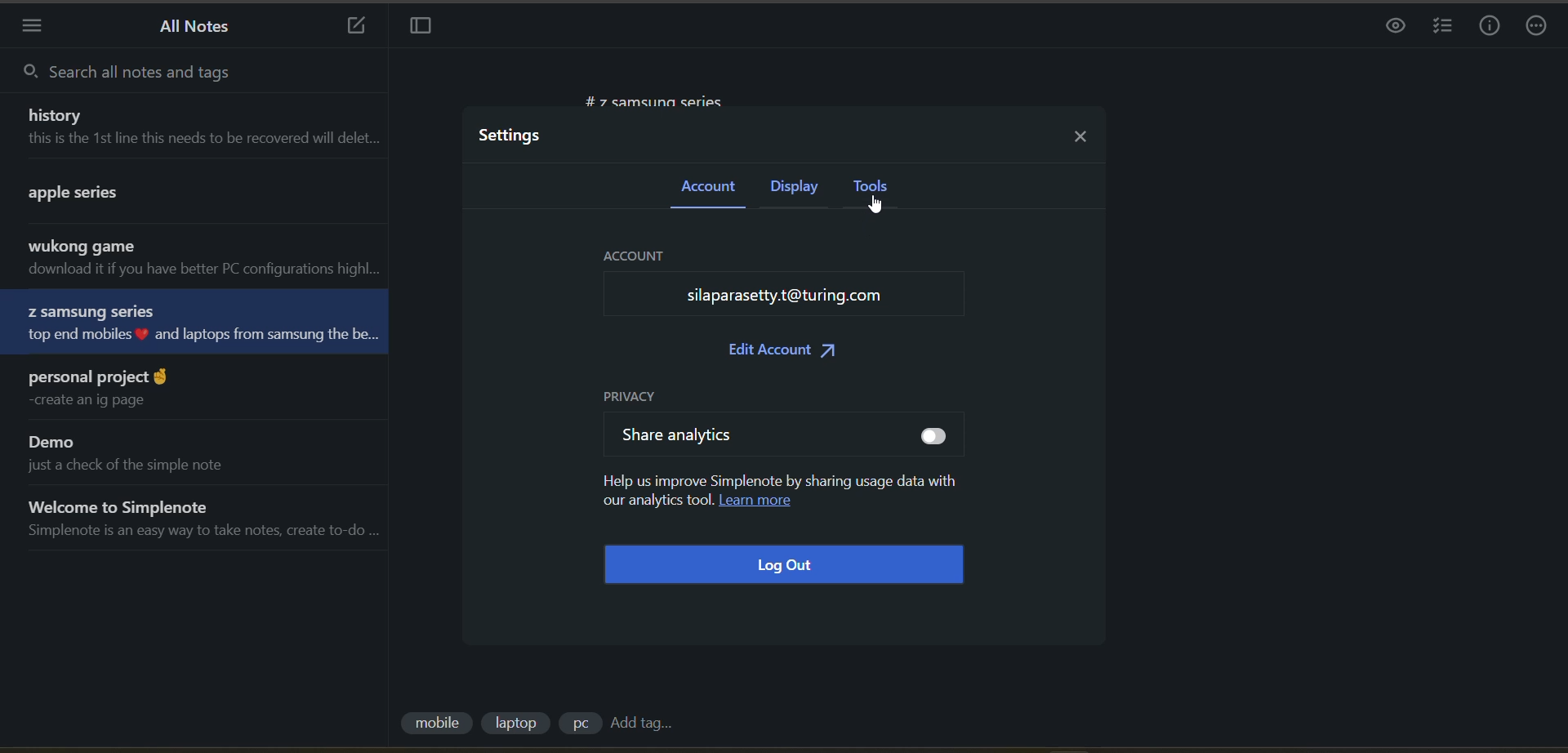 This screenshot has height=753, width=1568. What do you see at coordinates (704, 187) in the screenshot?
I see `account` at bounding box center [704, 187].